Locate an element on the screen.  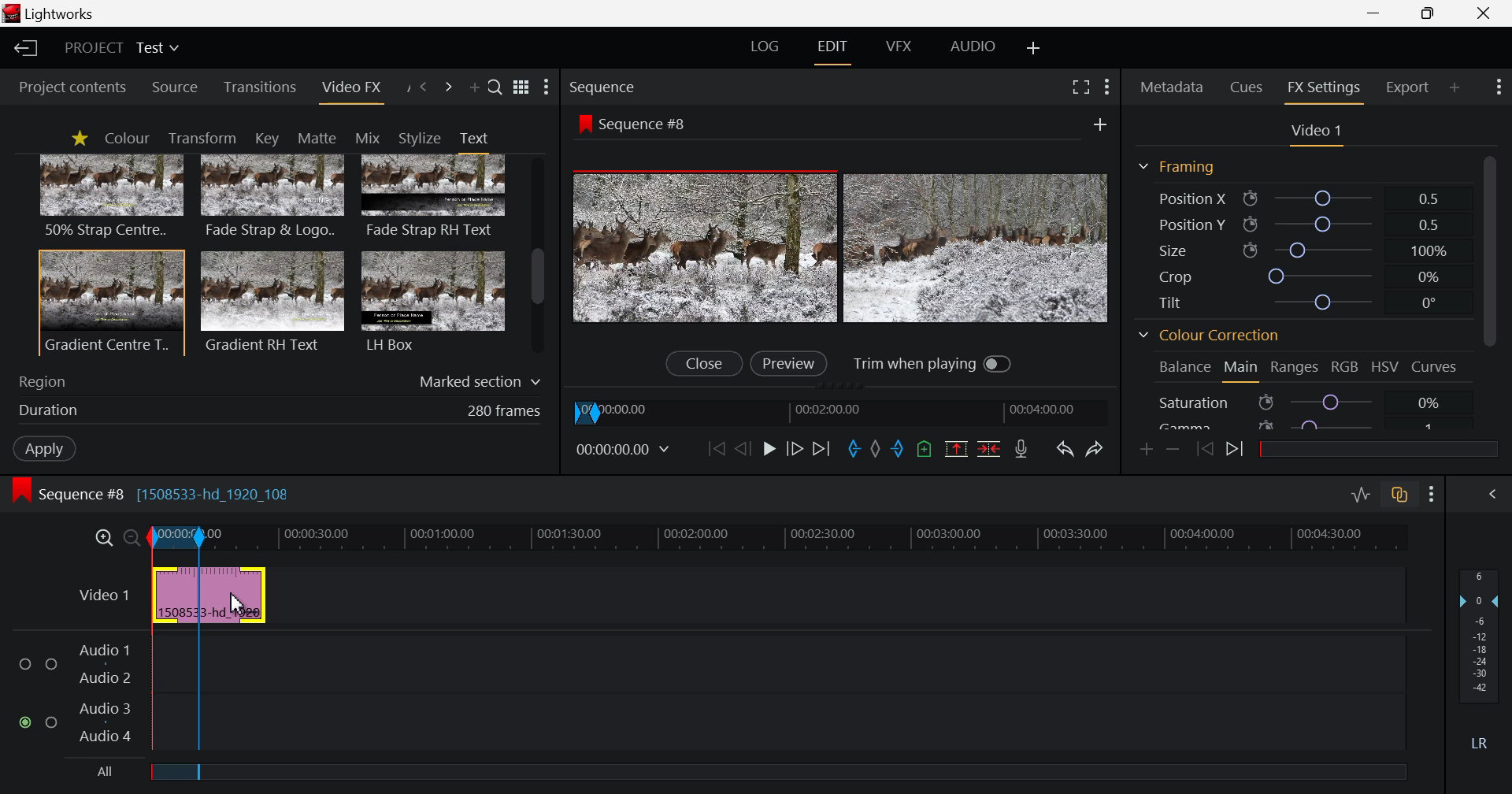
RGB is located at coordinates (1345, 369).